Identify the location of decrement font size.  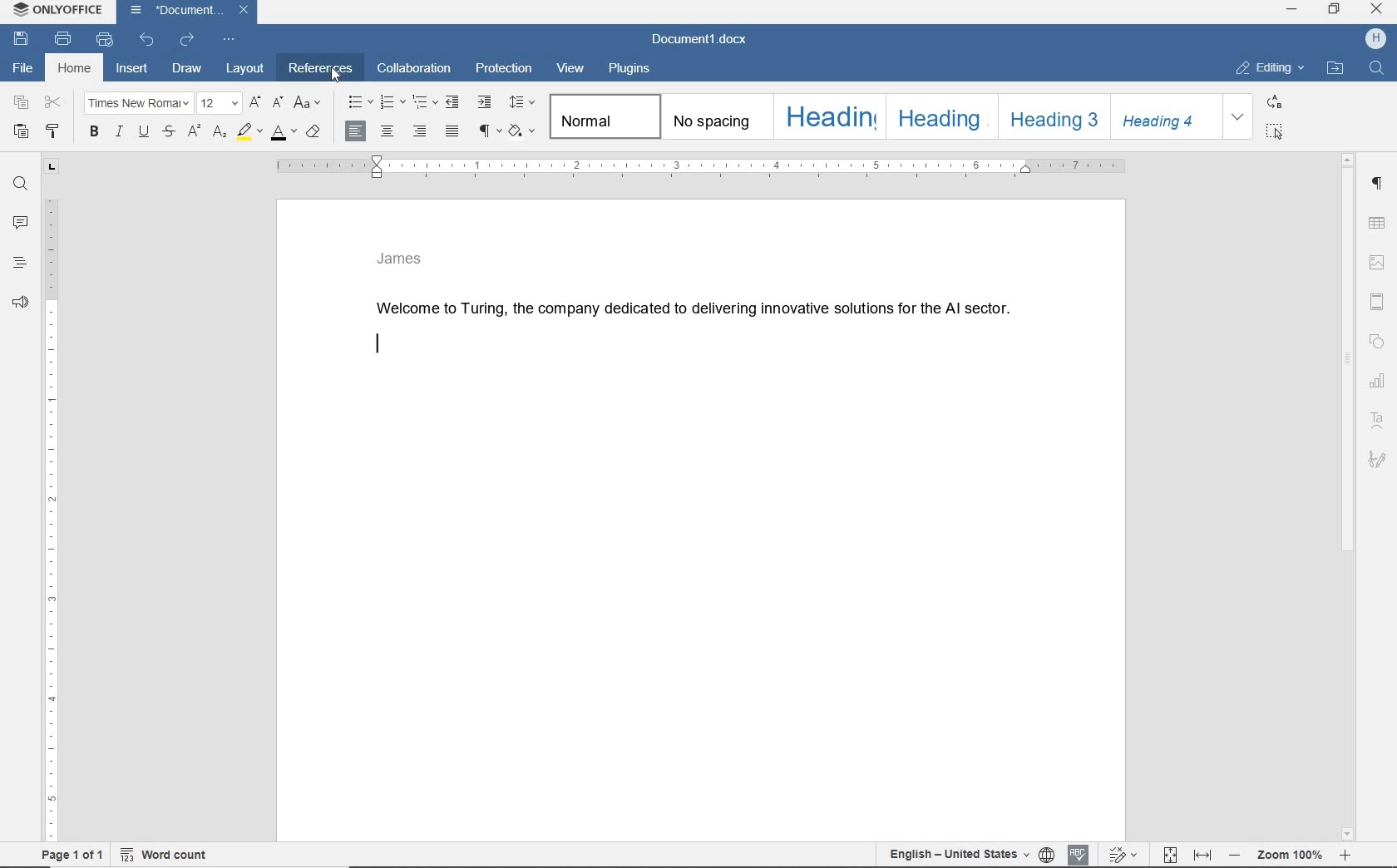
(277, 103).